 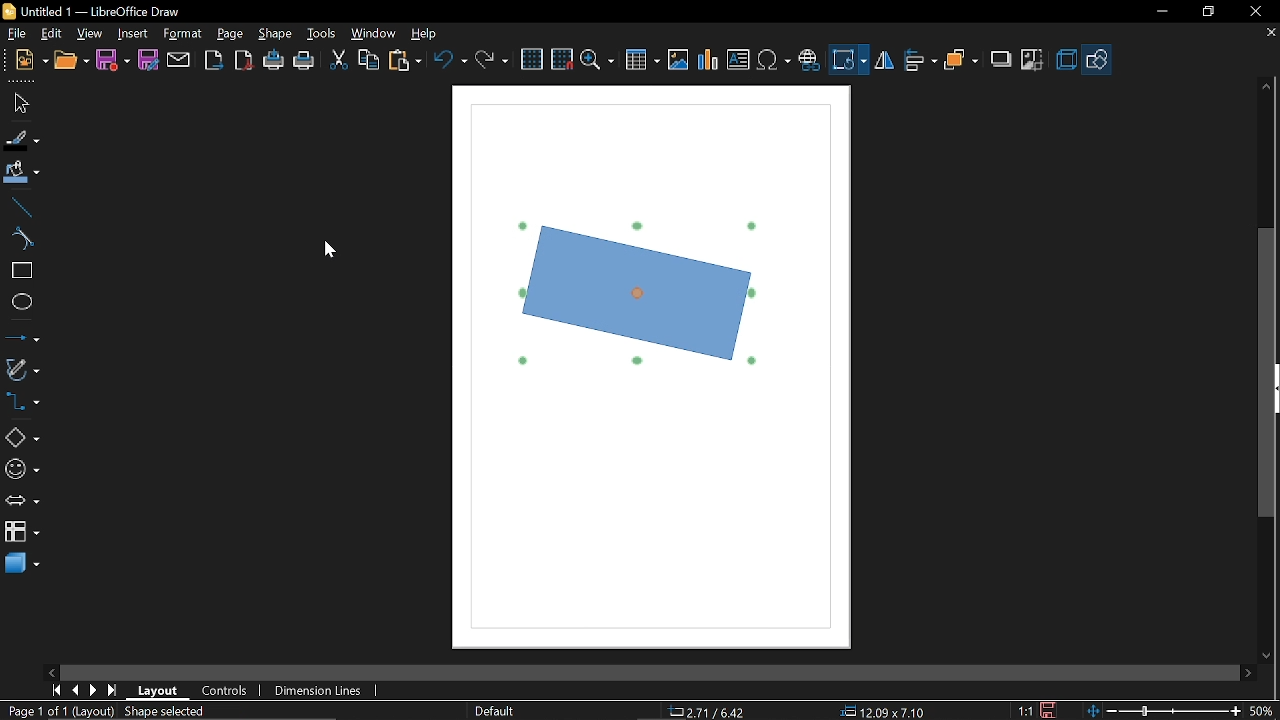 What do you see at coordinates (15, 34) in the screenshot?
I see `file ` at bounding box center [15, 34].